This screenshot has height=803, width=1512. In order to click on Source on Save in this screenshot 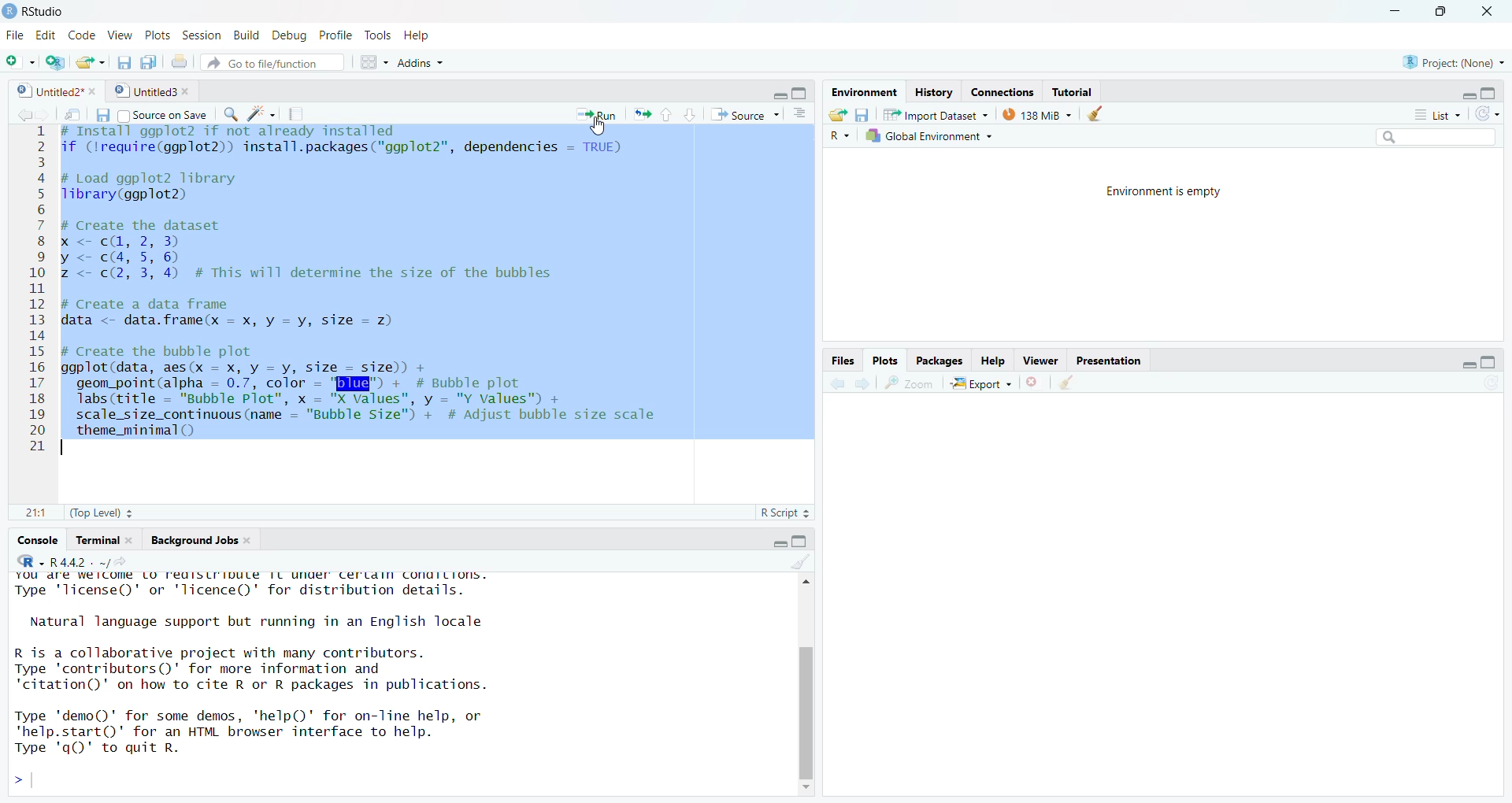, I will do `click(165, 115)`.